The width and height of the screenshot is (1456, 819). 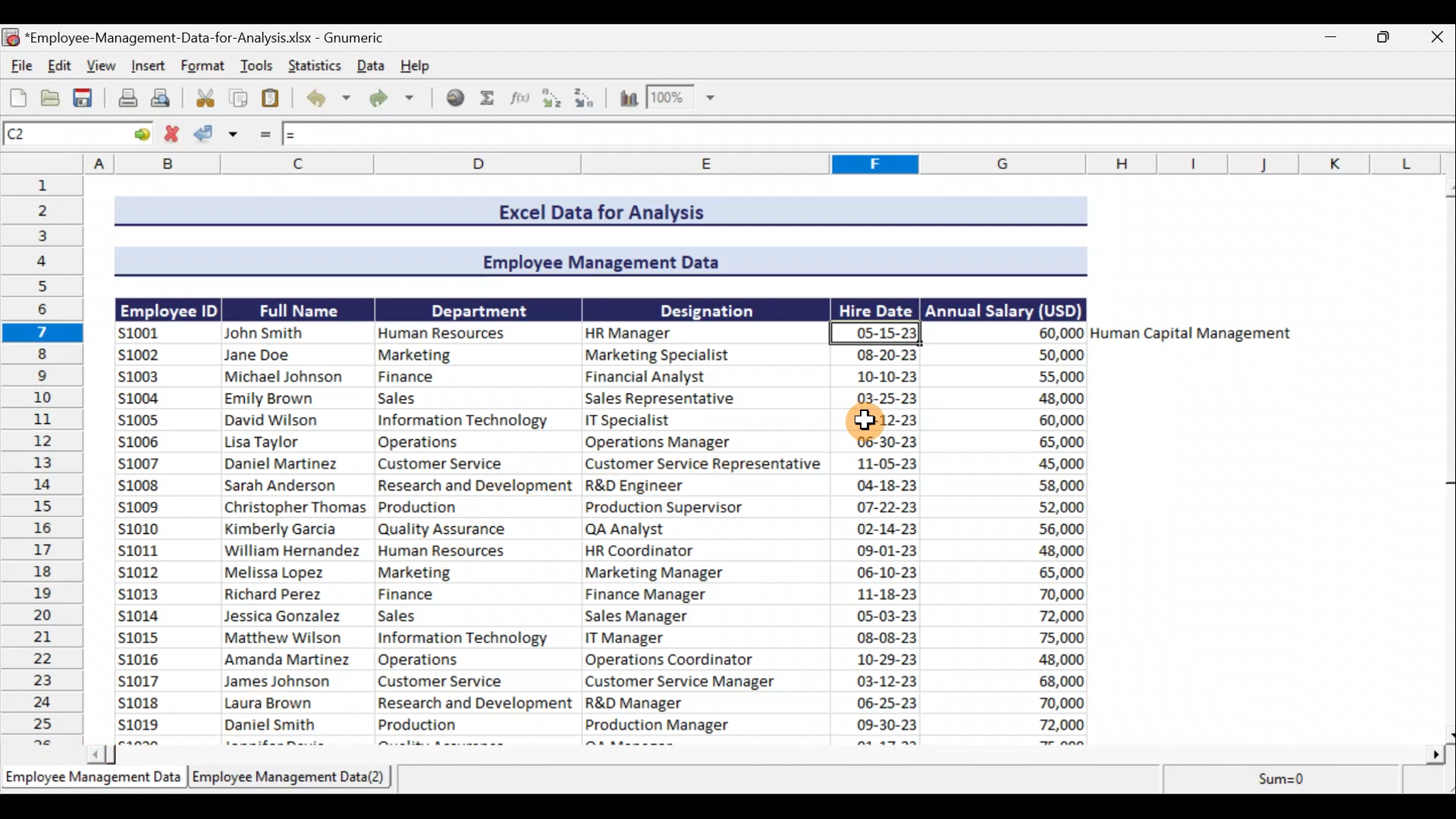 I want to click on Open a file, so click(x=51, y=99).